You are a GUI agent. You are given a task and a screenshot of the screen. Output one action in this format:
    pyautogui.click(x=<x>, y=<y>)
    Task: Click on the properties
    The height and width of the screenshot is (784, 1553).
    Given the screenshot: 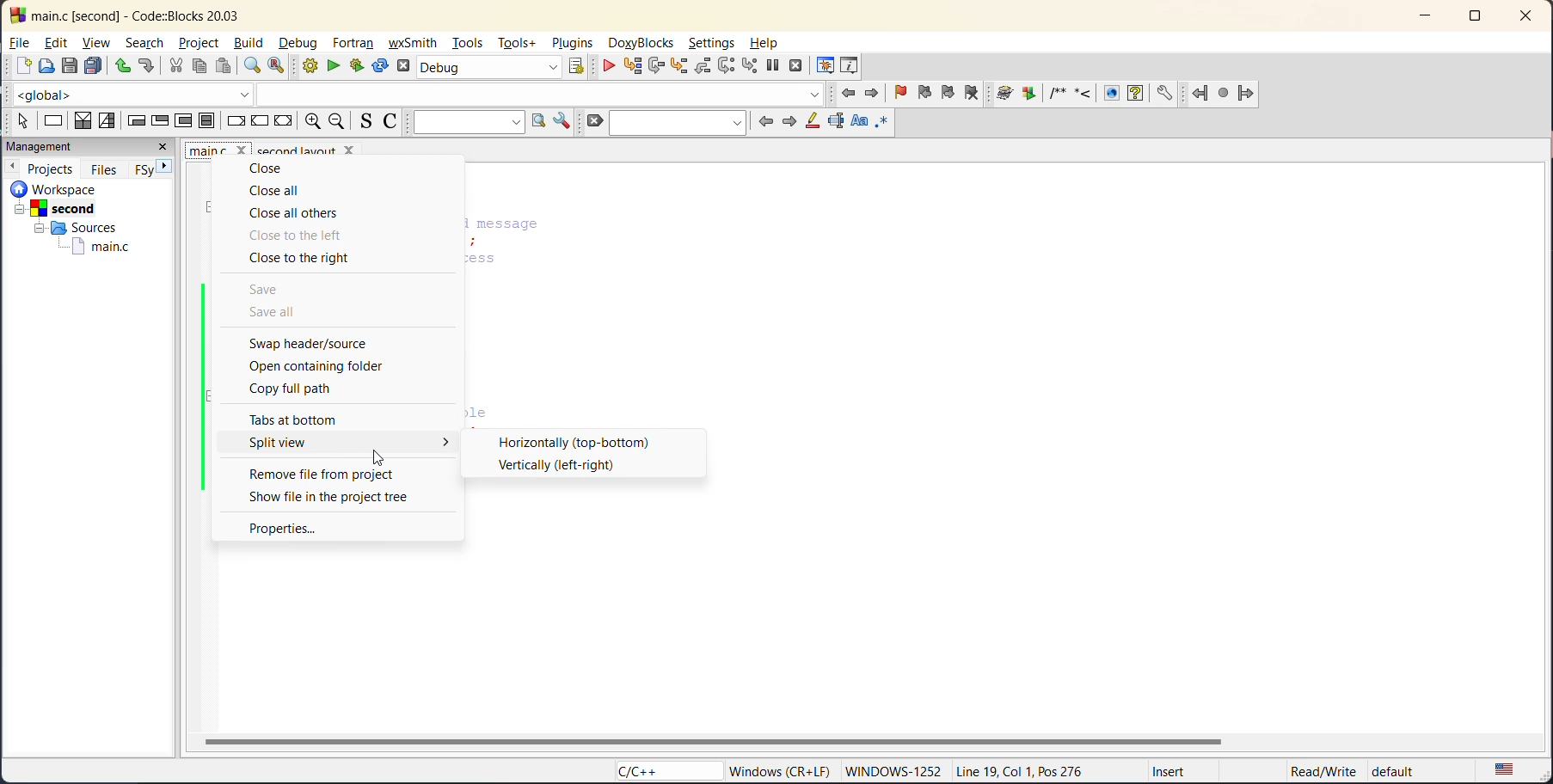 What is the action you would take?
    pyautogui.click(x=283, y=528)
    